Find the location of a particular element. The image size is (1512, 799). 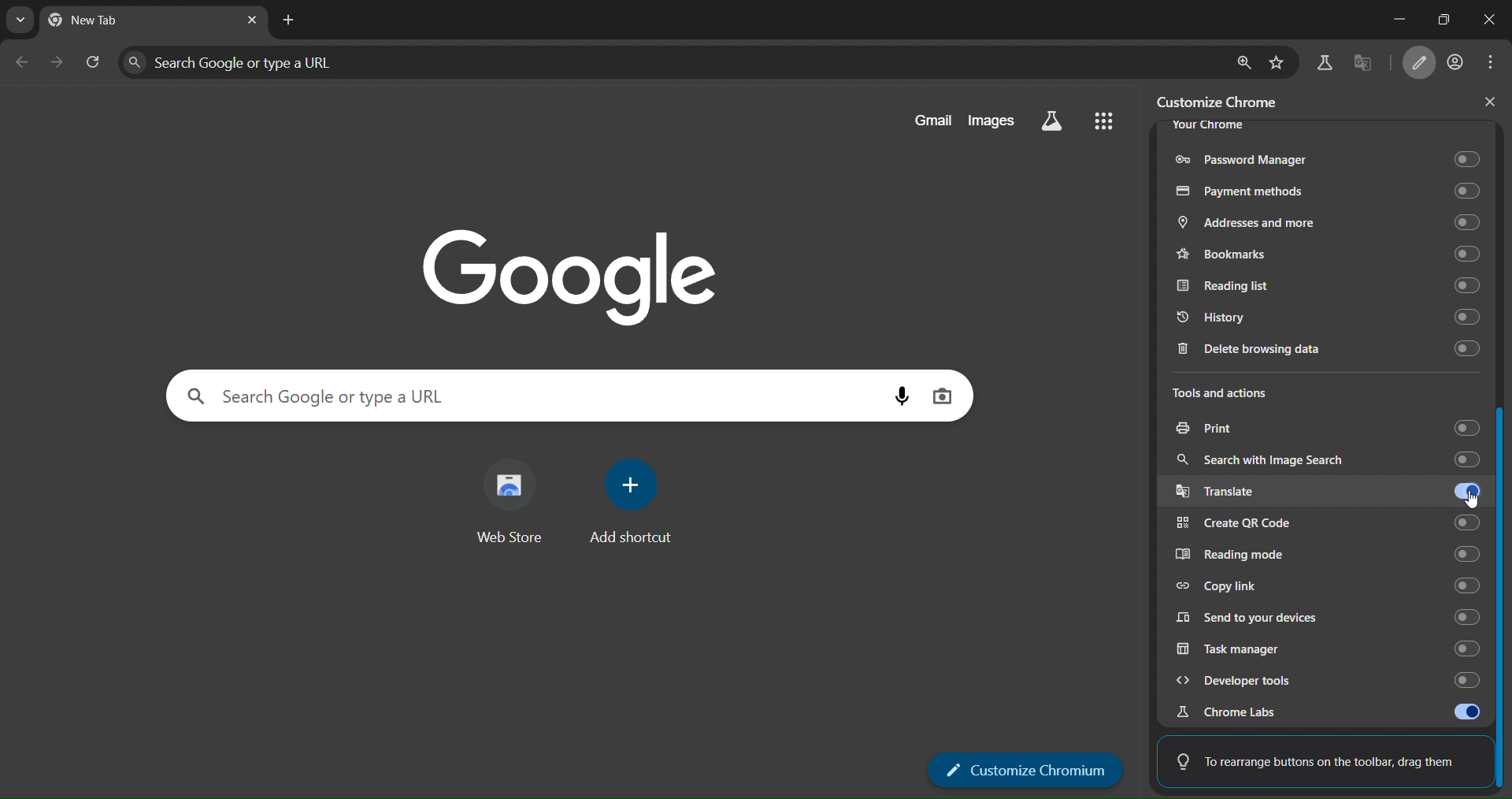

minimize is located at coordinates (1391, 18).